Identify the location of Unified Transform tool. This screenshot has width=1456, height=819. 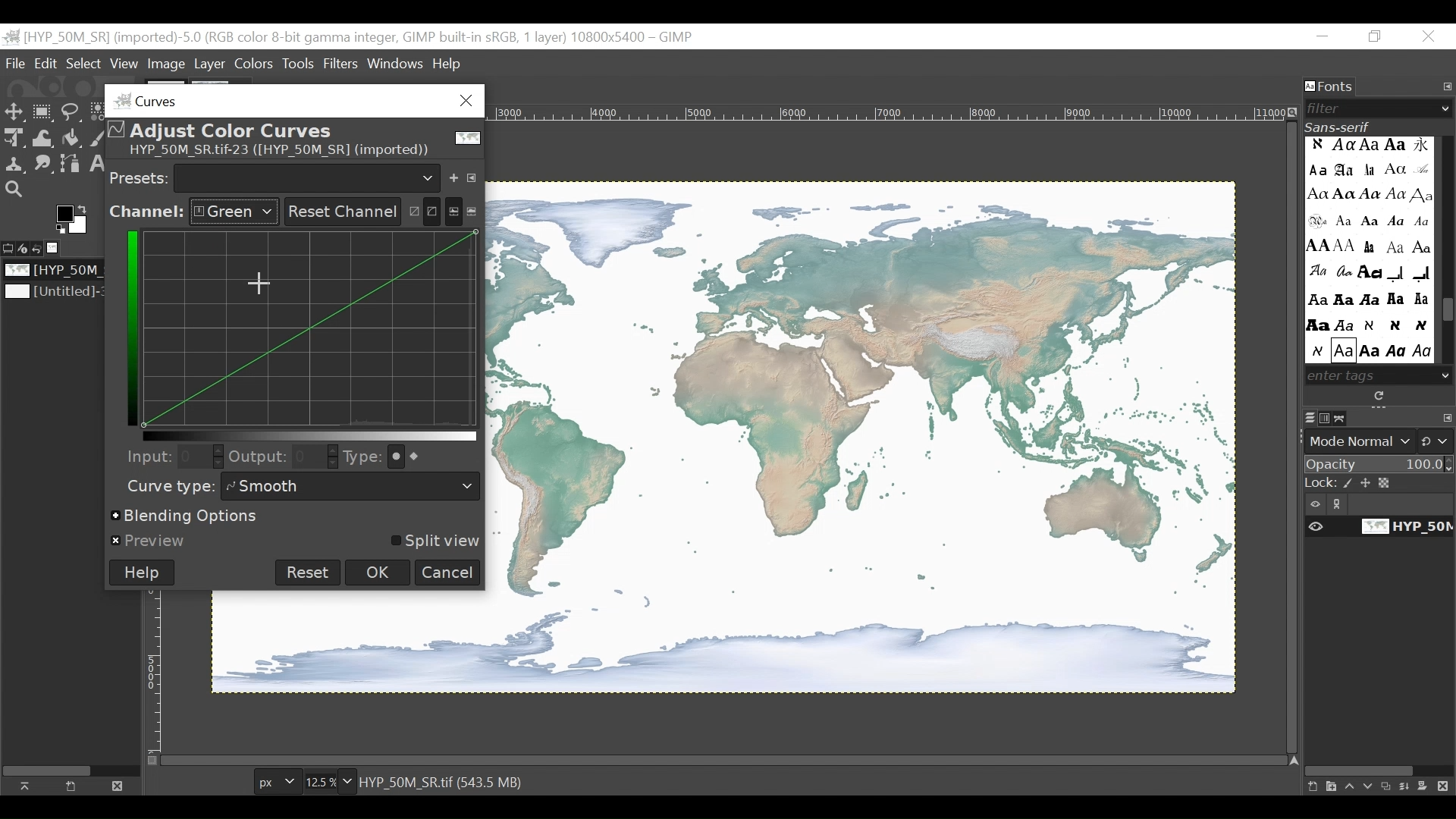
(12, 137).